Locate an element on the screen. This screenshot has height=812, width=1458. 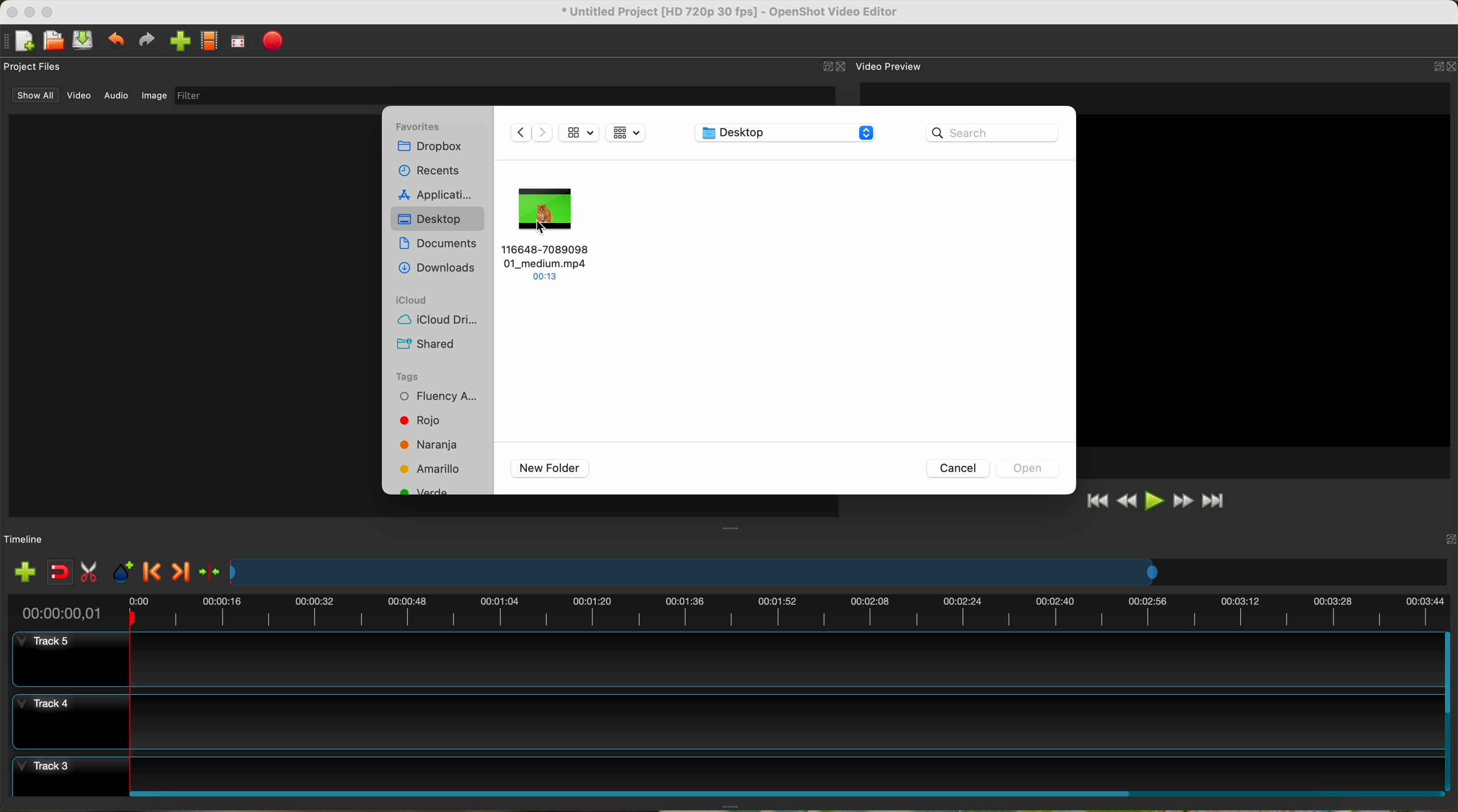
track 5 is located at coordinates (730, 660).